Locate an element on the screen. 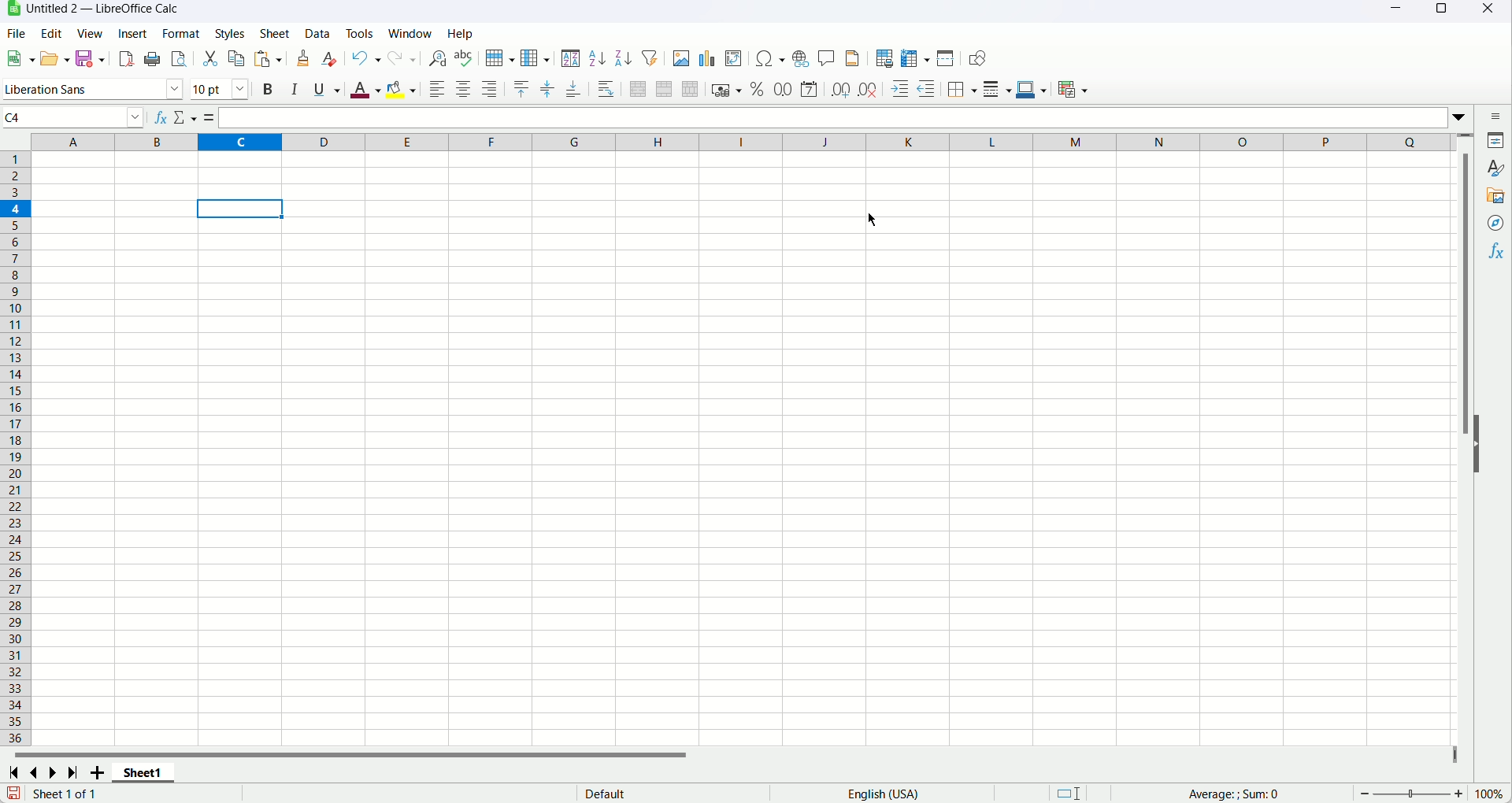 The image size is (1512, 803). Insert chart is located at coordinates (707, 58).